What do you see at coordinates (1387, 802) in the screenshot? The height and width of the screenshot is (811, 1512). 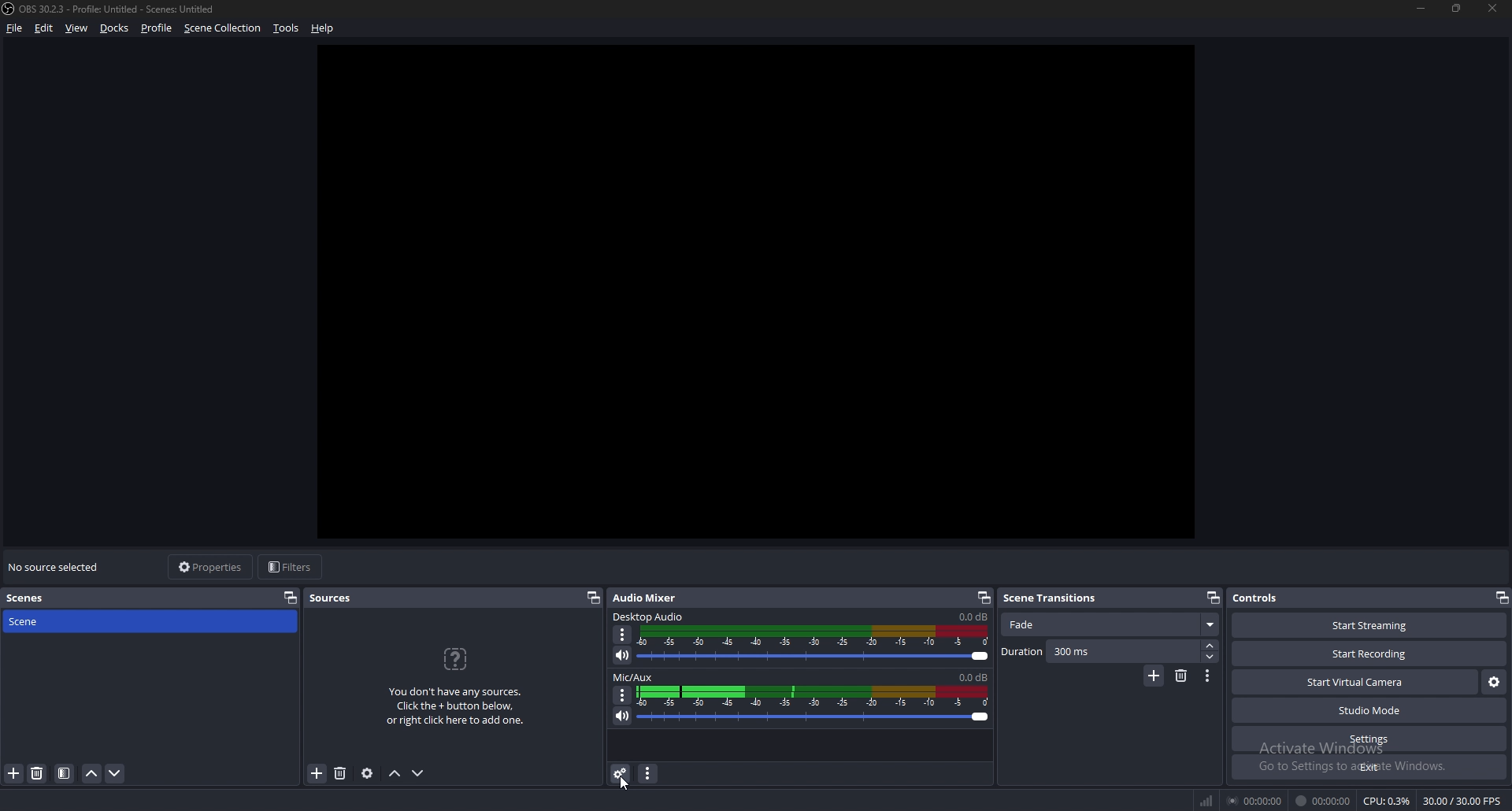 I see `CPU: 0.3%` at bounding box center [1387, 802].